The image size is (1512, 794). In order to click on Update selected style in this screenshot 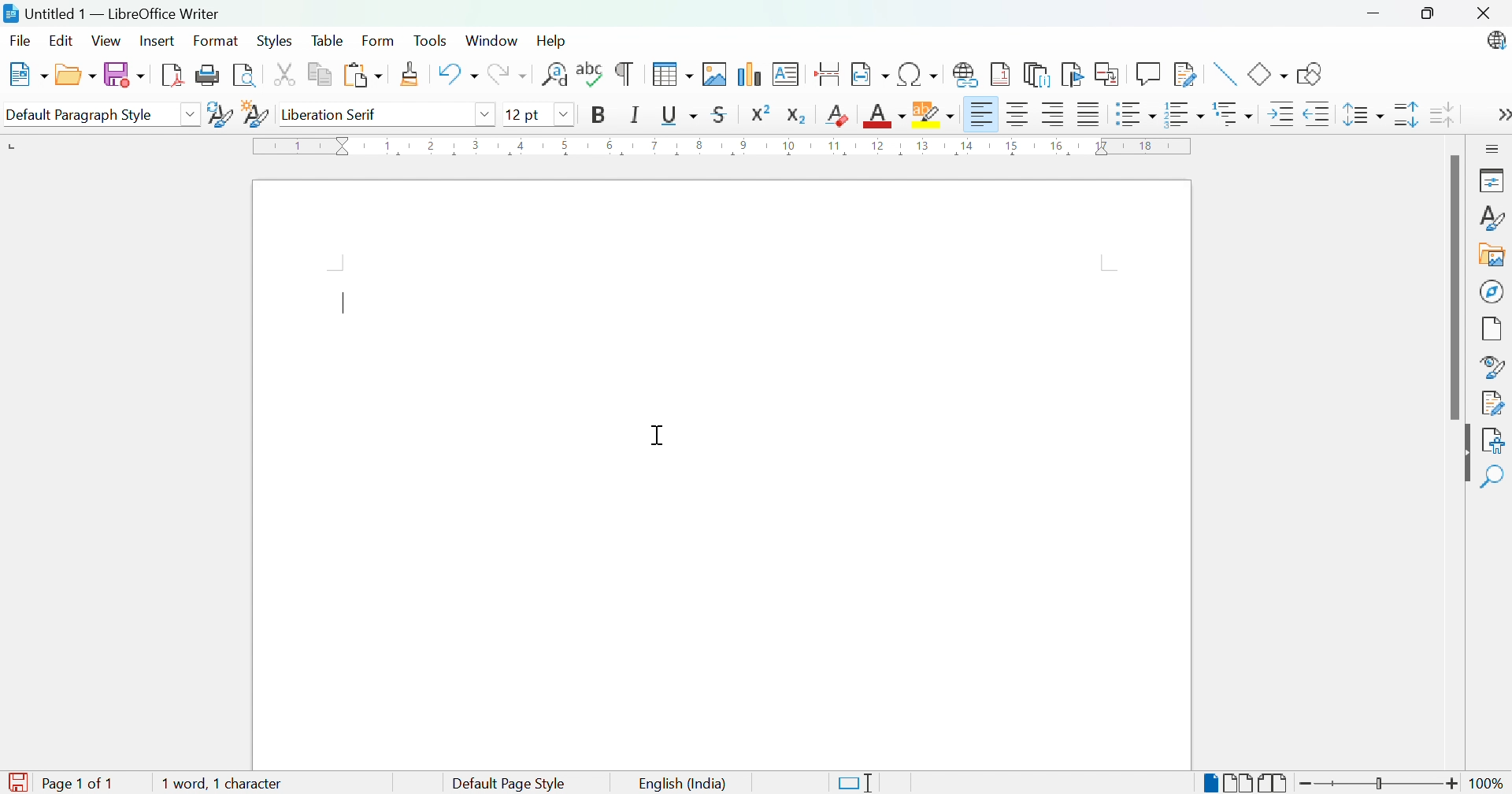, I will do `click(222, 114)`.